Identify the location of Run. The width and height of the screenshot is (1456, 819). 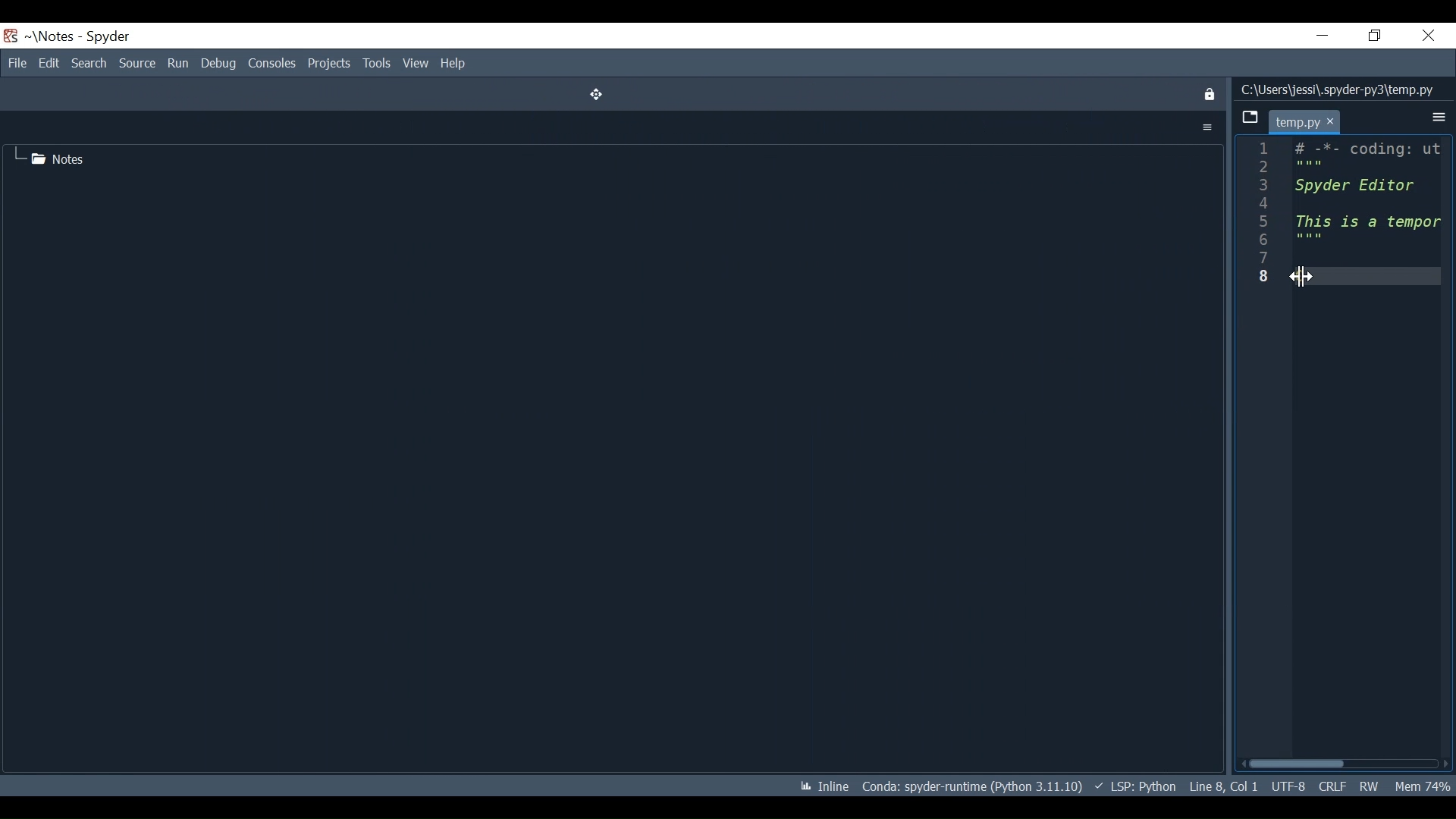
(177, 63).